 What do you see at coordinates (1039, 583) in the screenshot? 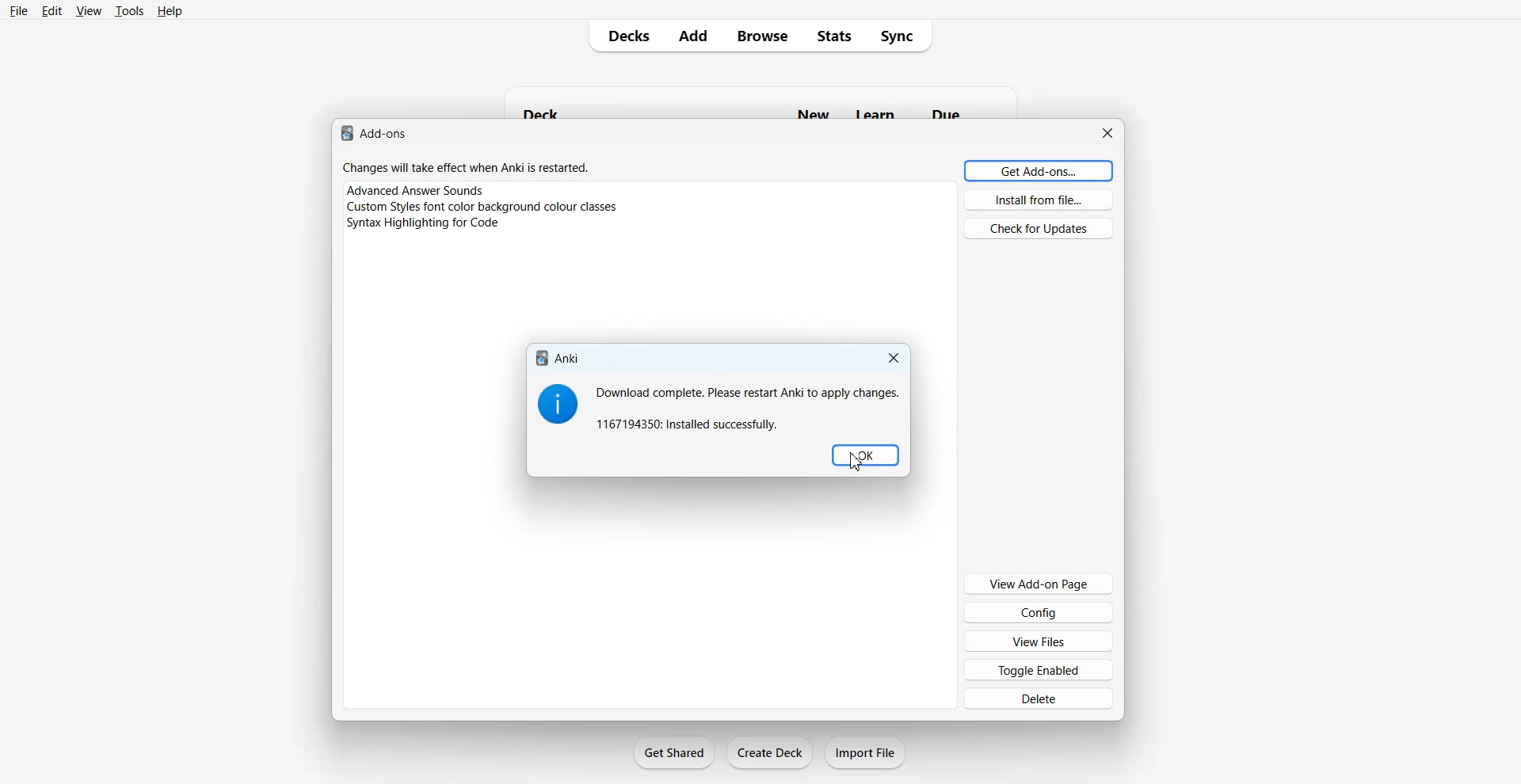
I see `View Add-on Page` at bounding box center [1039, 583].